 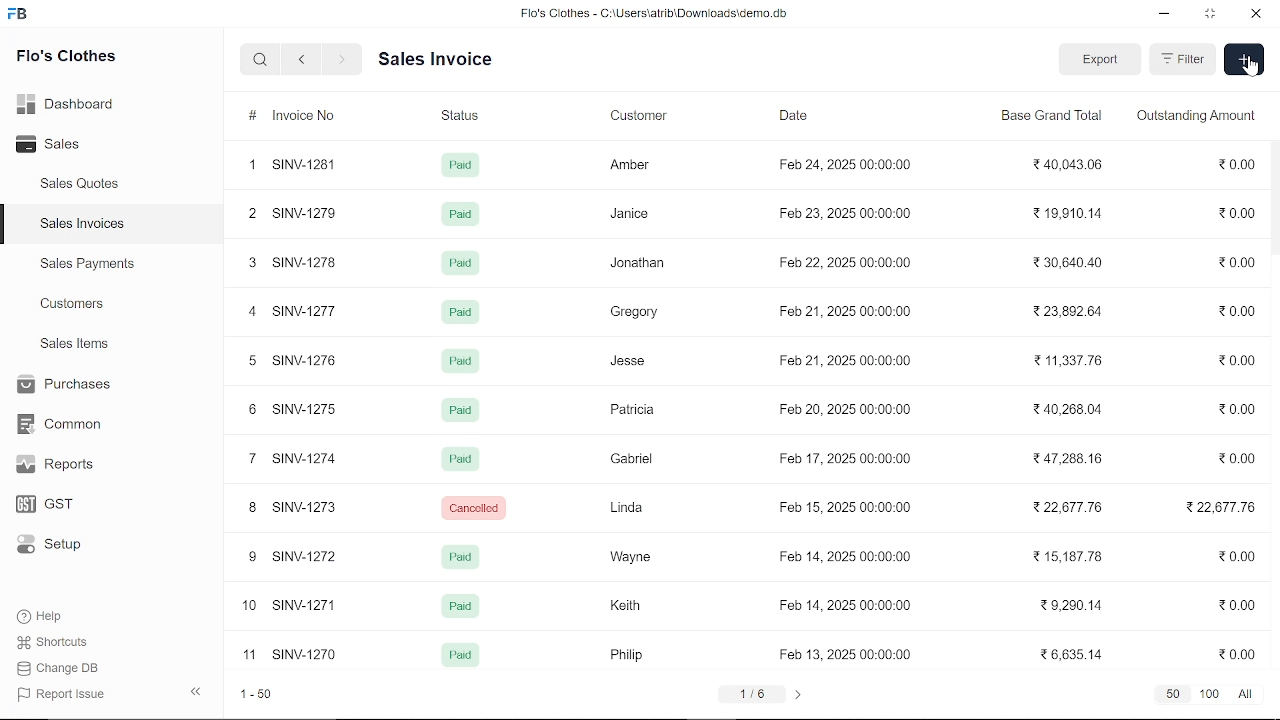 I want to click on 3 SINV-1278 Pad Jonathan Feb 22, 2025 00:00:00 330,840.40 20.00, so click(x=750, y=264).